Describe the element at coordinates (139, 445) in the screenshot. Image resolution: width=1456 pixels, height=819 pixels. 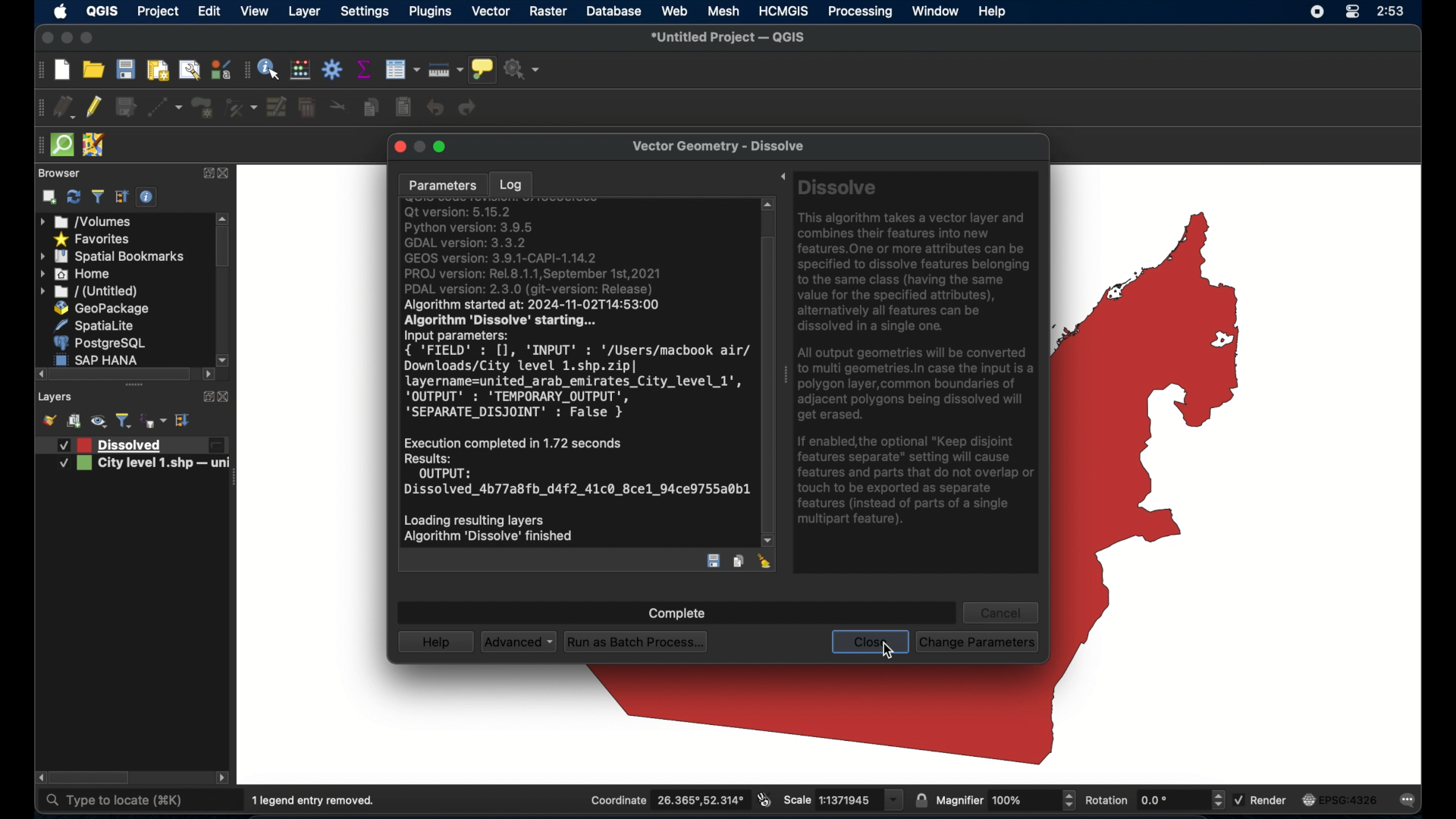
I see `dissolved layer created` at that location.